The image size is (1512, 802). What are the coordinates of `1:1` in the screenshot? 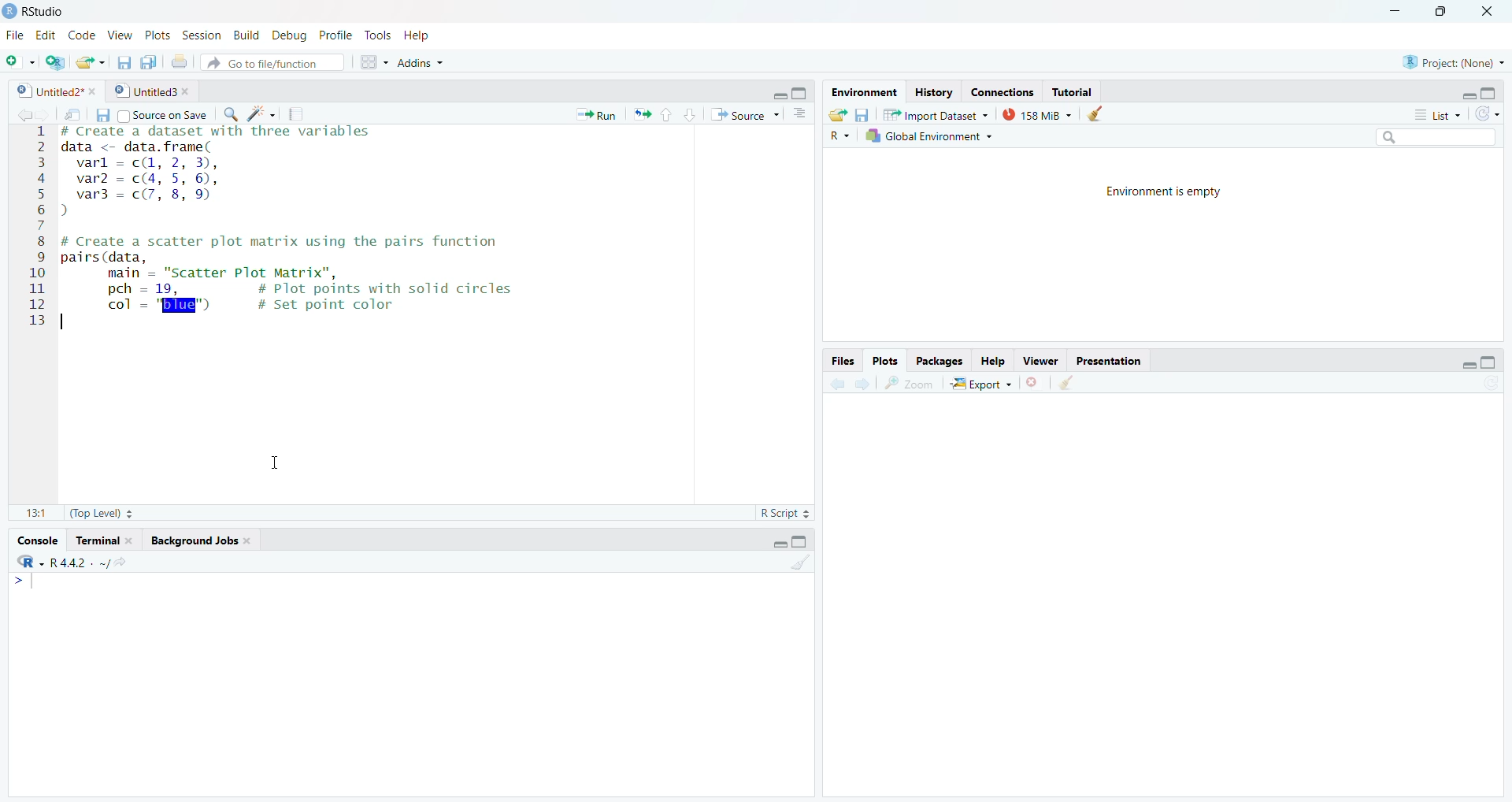 It's located at (31, 513).